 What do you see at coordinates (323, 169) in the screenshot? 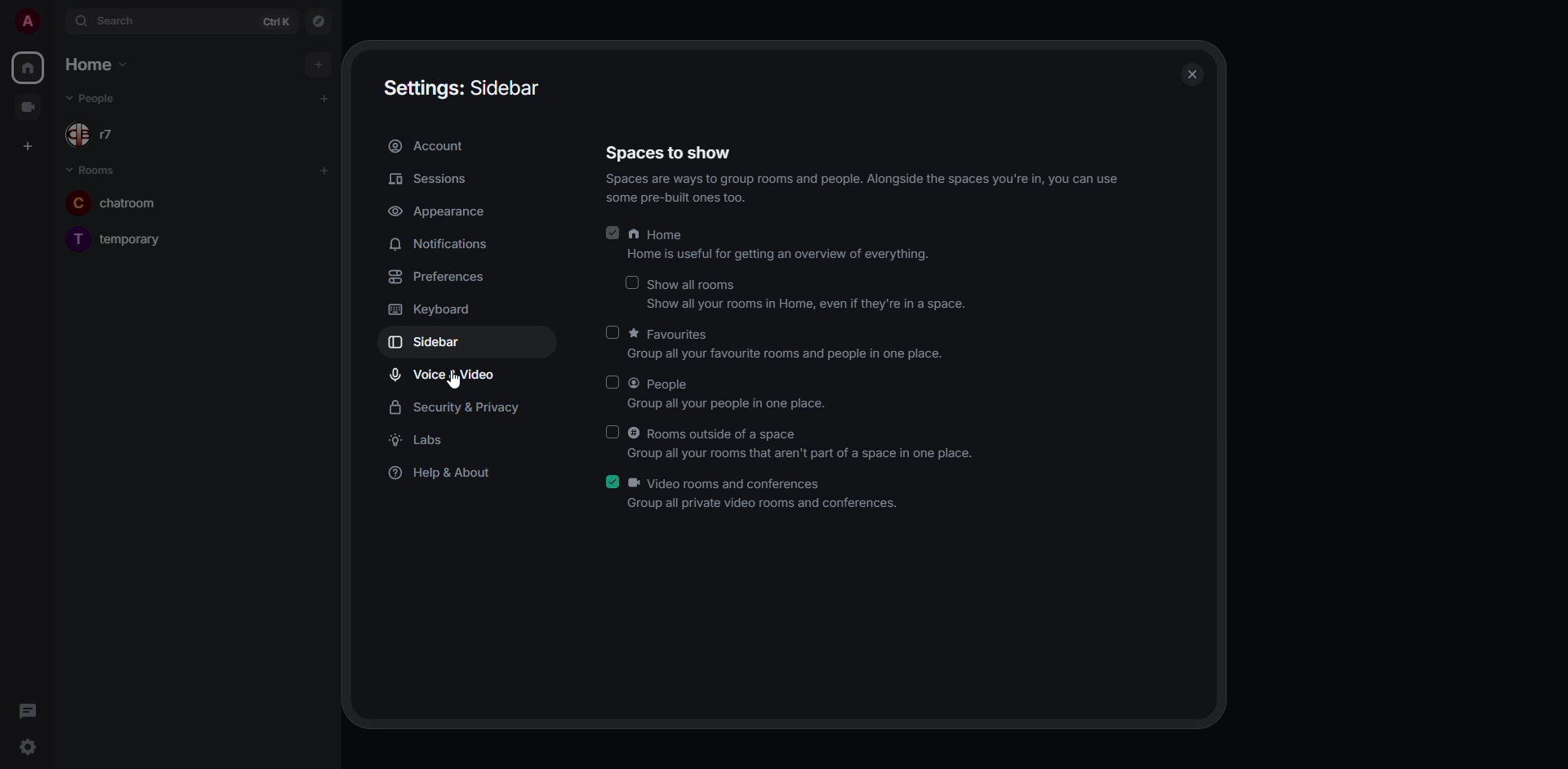
I see `add` at bounding box center [323, 169].